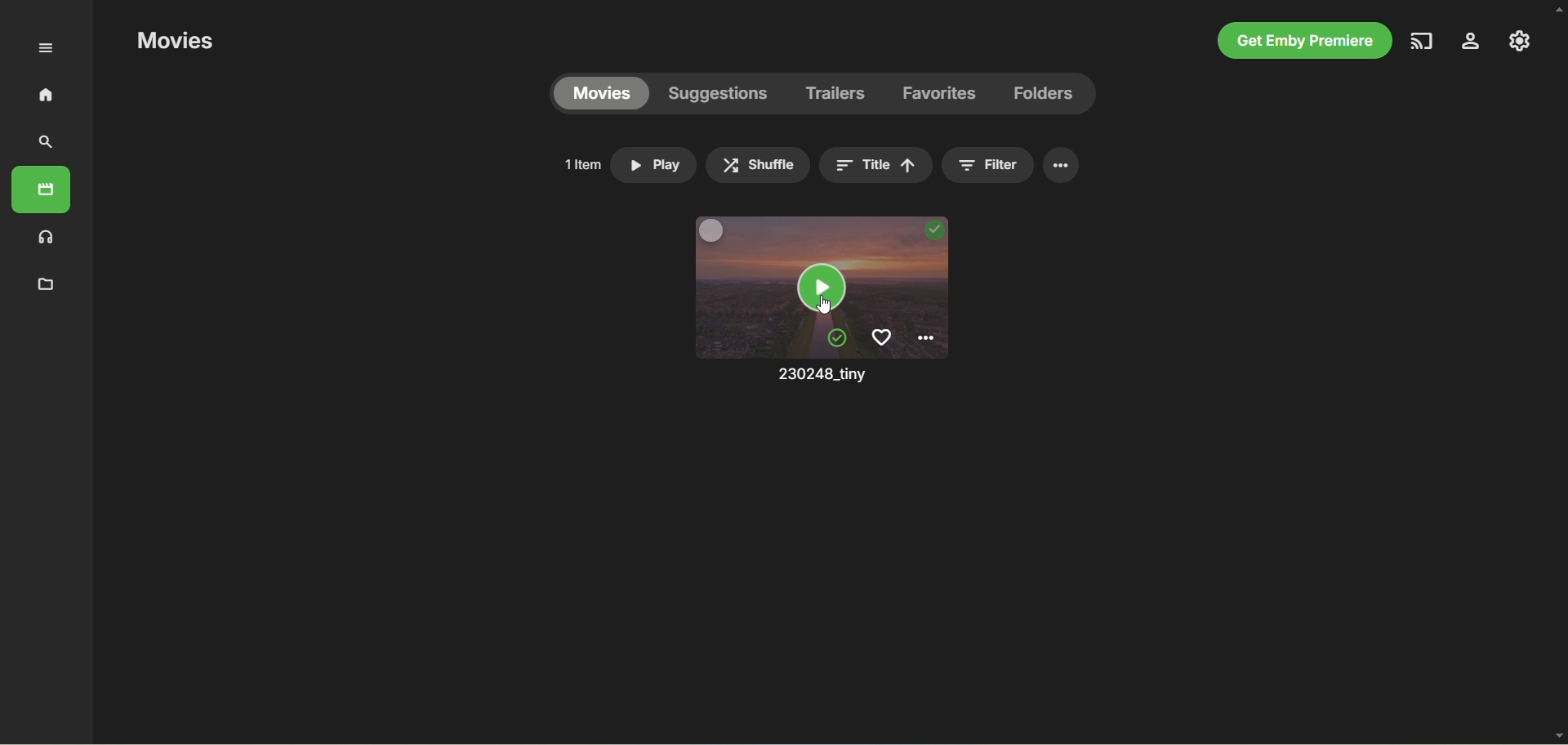 The image size is (1568, 745). Describe the element at coordinates (43, 285) in the screenshot. I see `metadata manager` at that location.